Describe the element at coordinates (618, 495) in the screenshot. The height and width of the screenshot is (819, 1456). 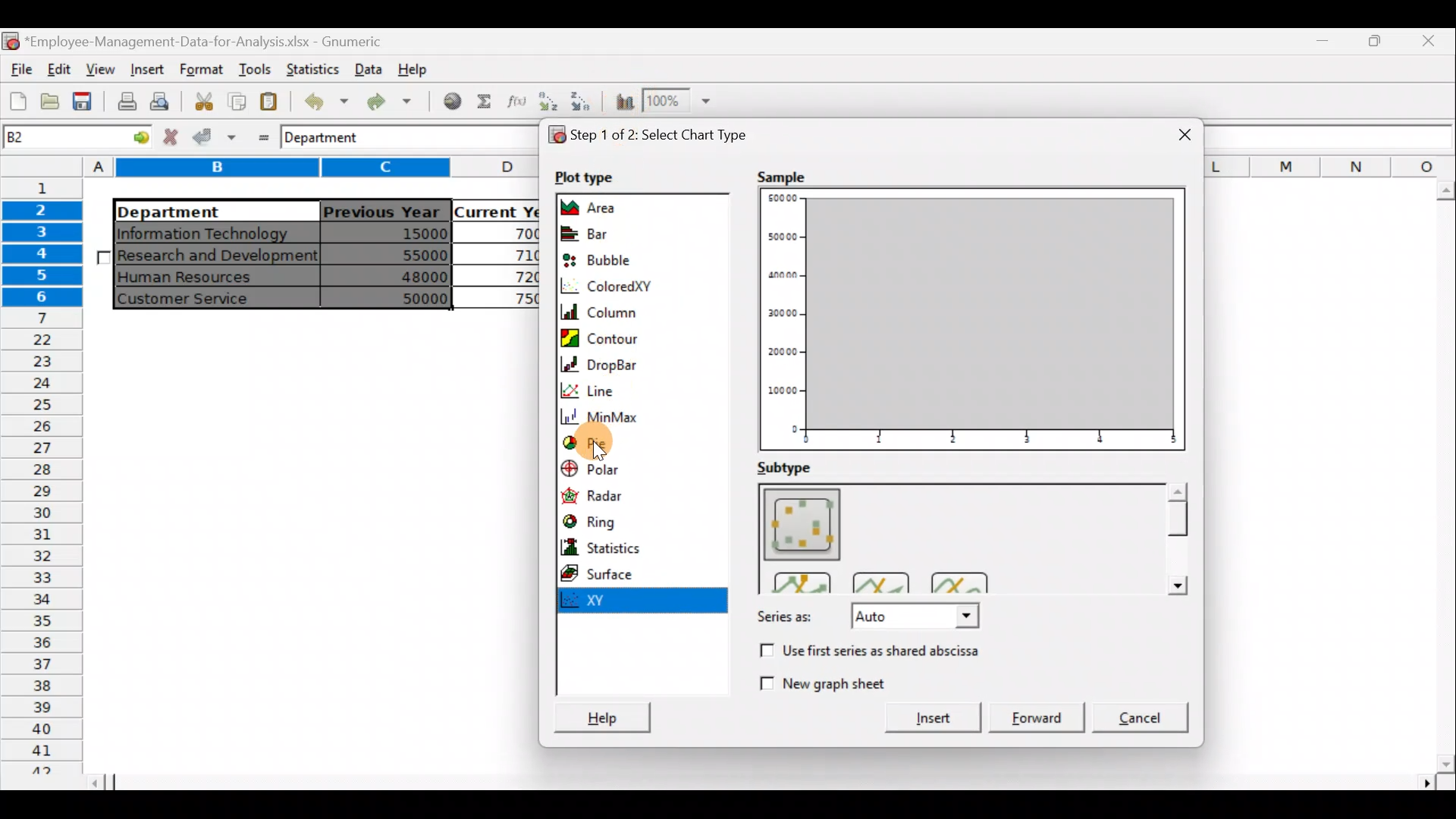
I see `Radar` at that location.